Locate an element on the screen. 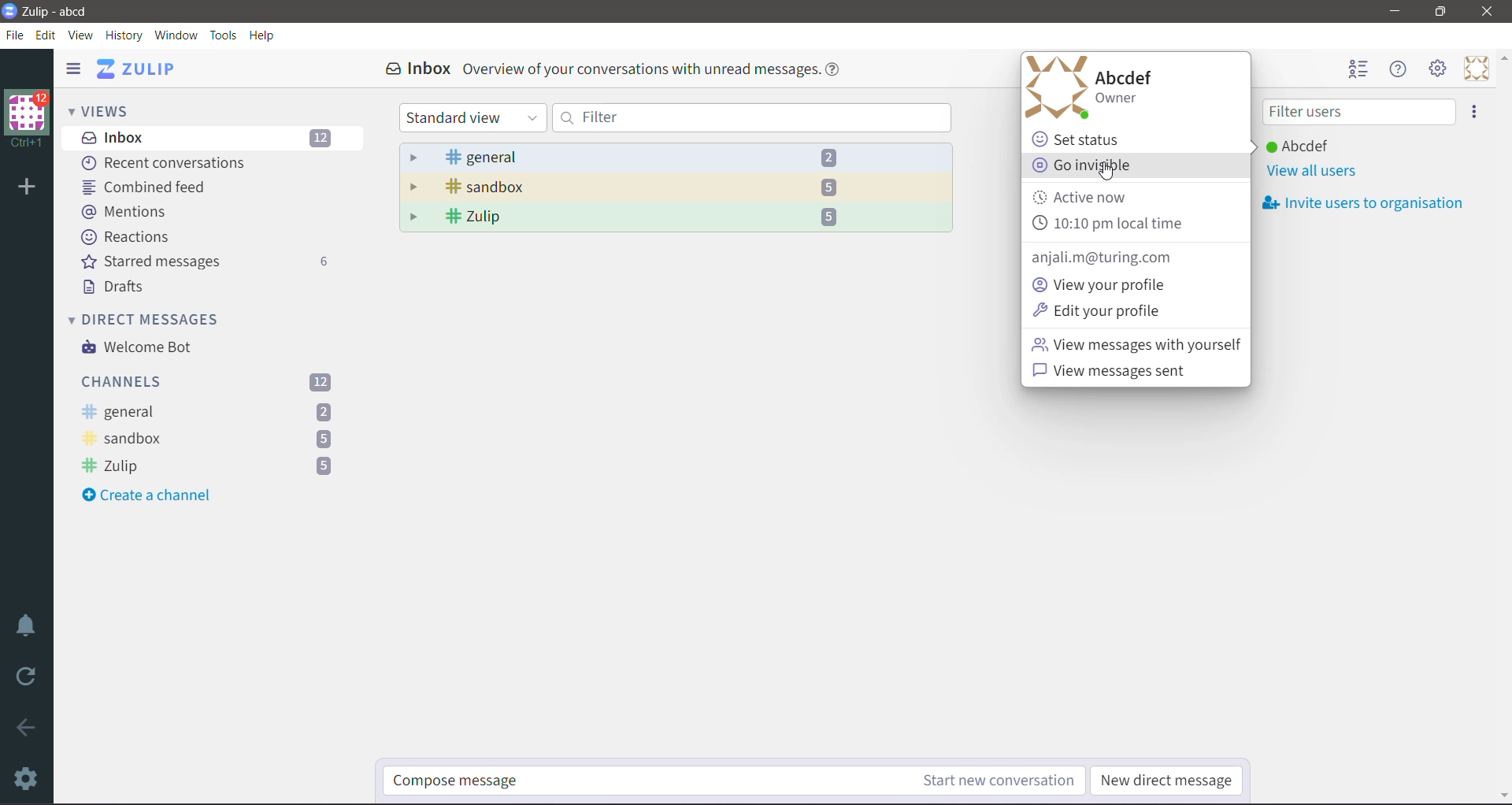 Image resolution: width=1512 pixels, height=805 pixels. Window is located at coordinates (179, 36).